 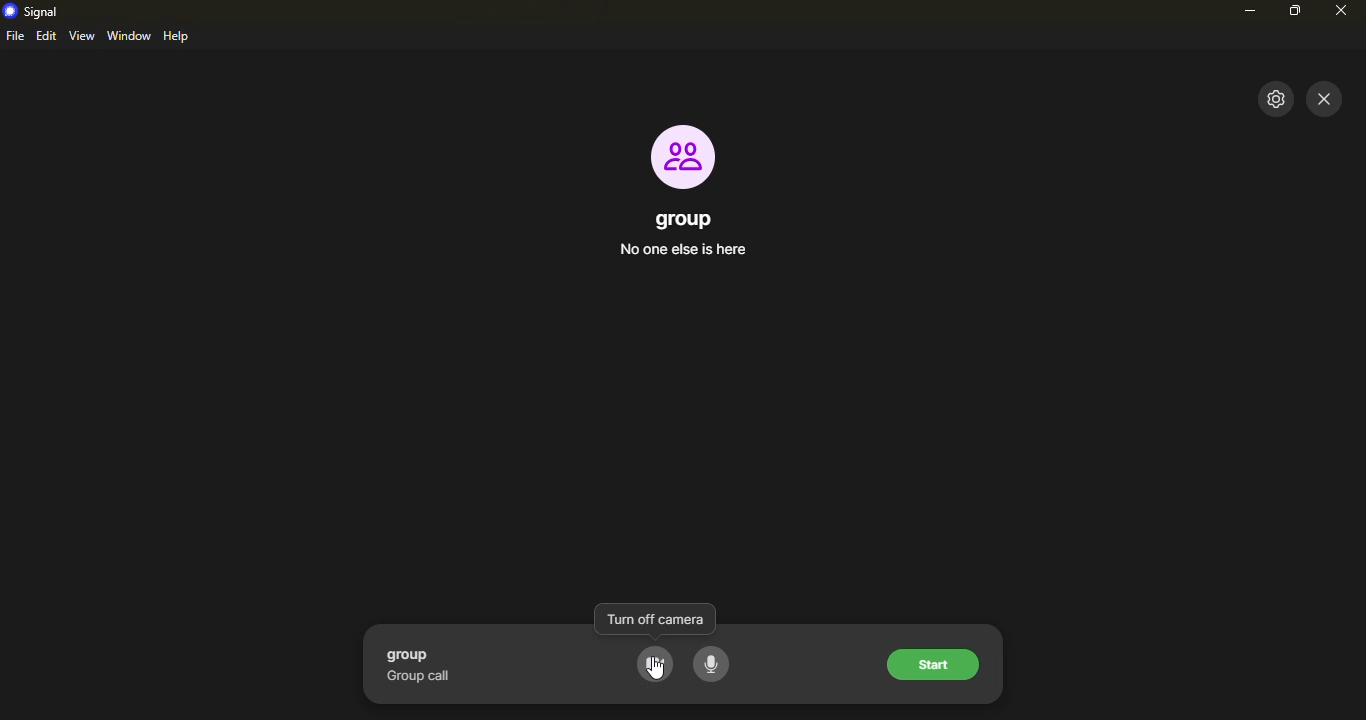 What do you see at coordinates (47, 36) in the screenshot?
I see `edit` at bounding box center [47, 36].